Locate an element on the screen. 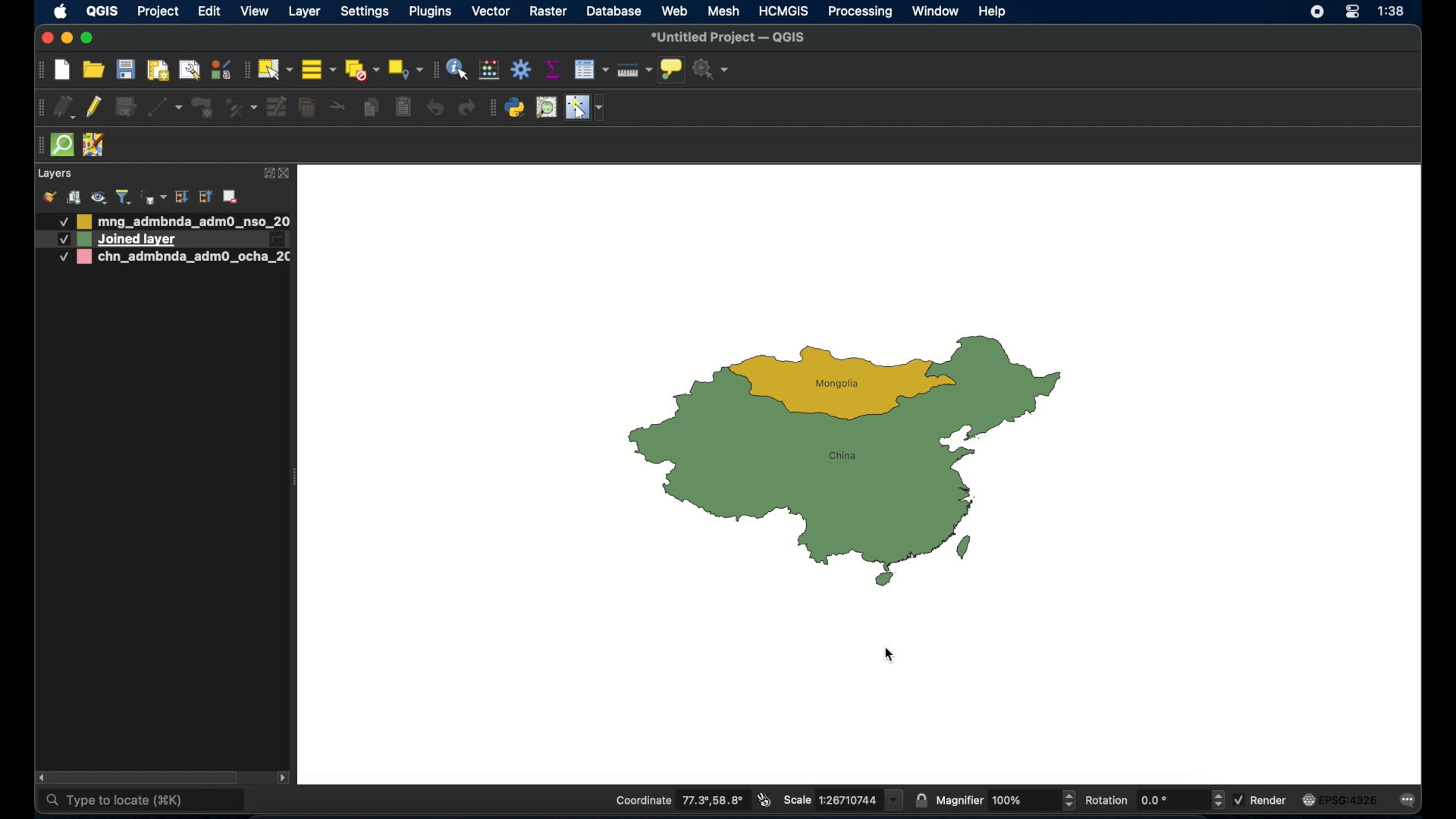 The image size is (1456, 819). new project is located at coordinates (63, 71).